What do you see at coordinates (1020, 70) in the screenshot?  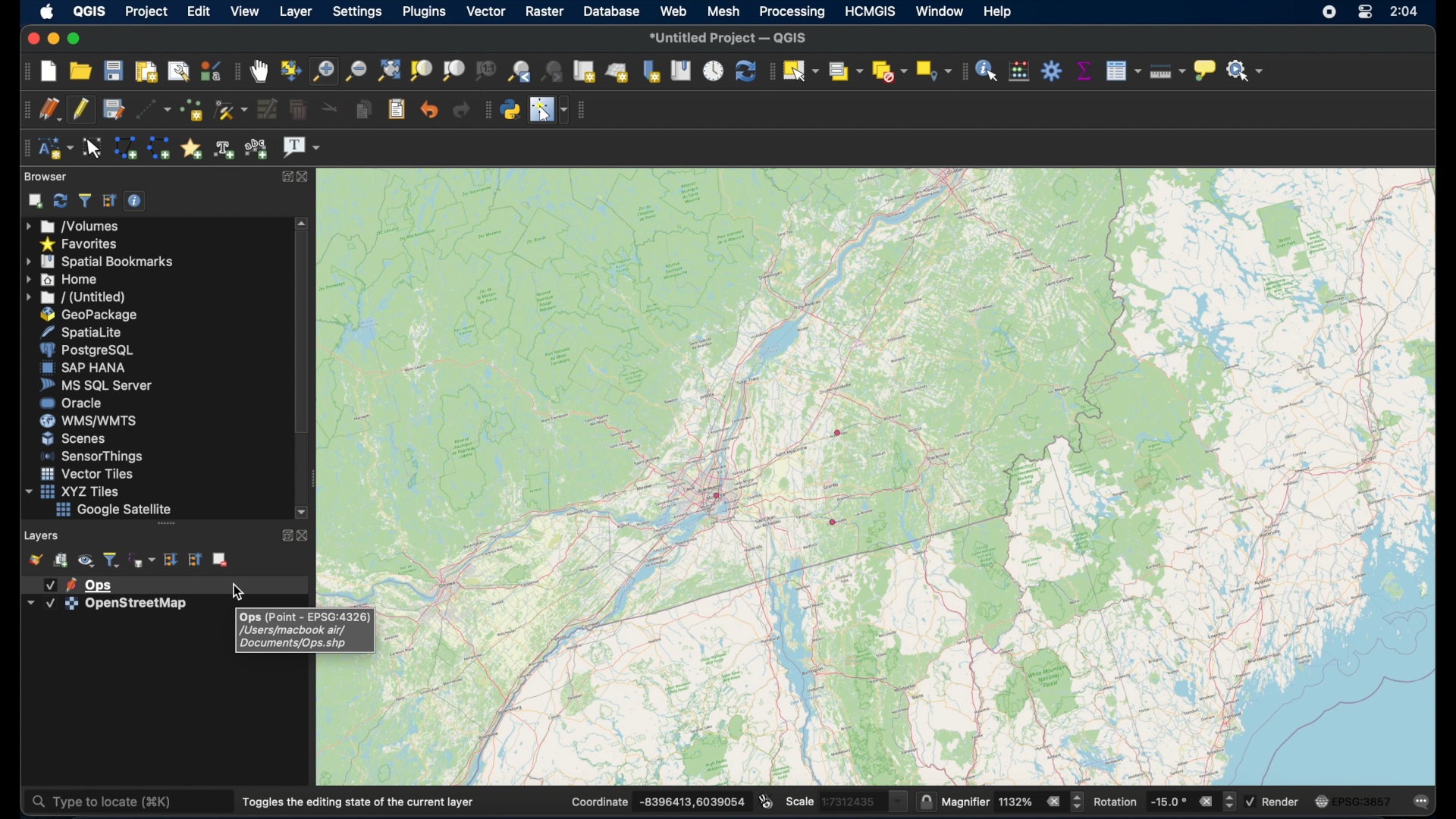 I see `open field calculator` at bounding box center [1020, 70].